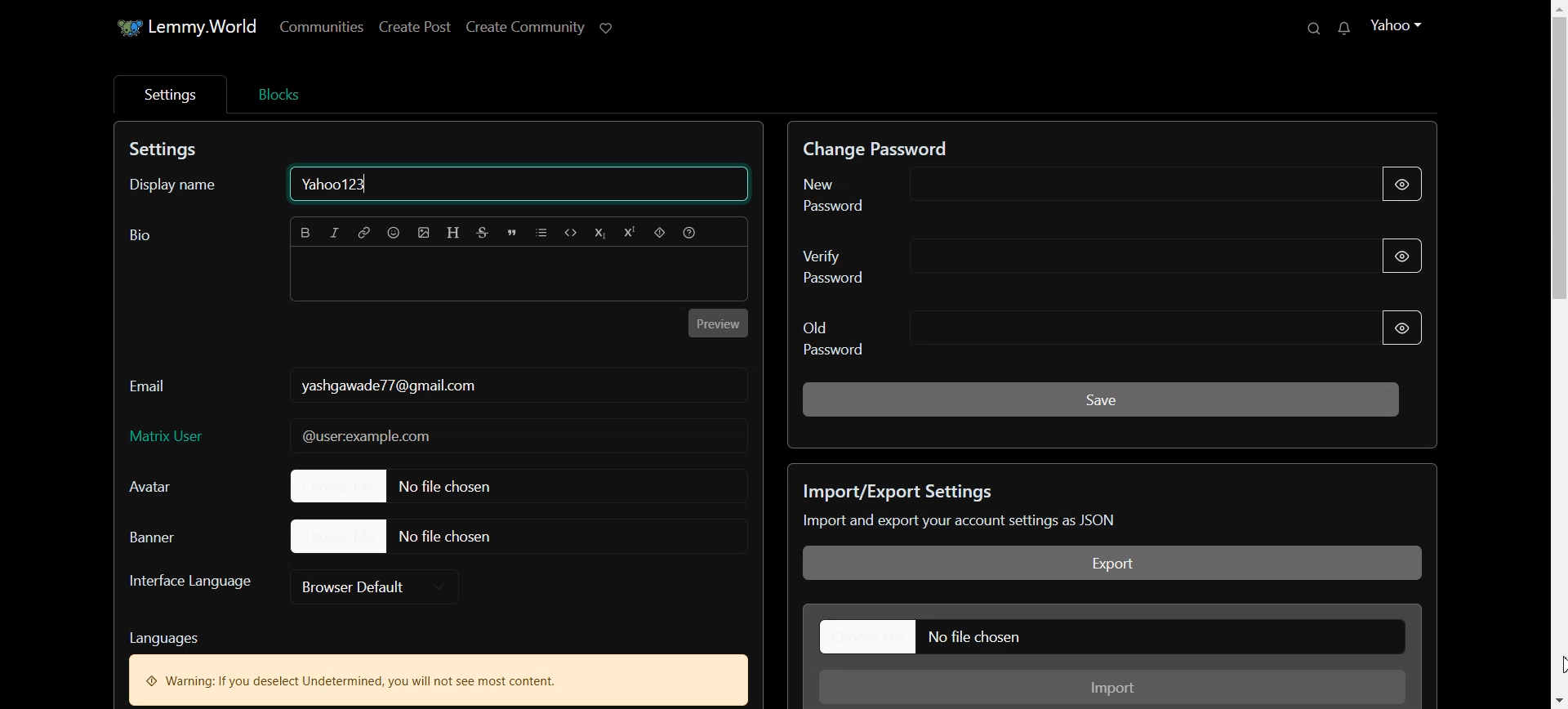 The width and height of the screenshot is (1568, 709). What do you see at coordinates (513, 234) in the screenshot?
I see `Quote` at bounding box center [513, 234].